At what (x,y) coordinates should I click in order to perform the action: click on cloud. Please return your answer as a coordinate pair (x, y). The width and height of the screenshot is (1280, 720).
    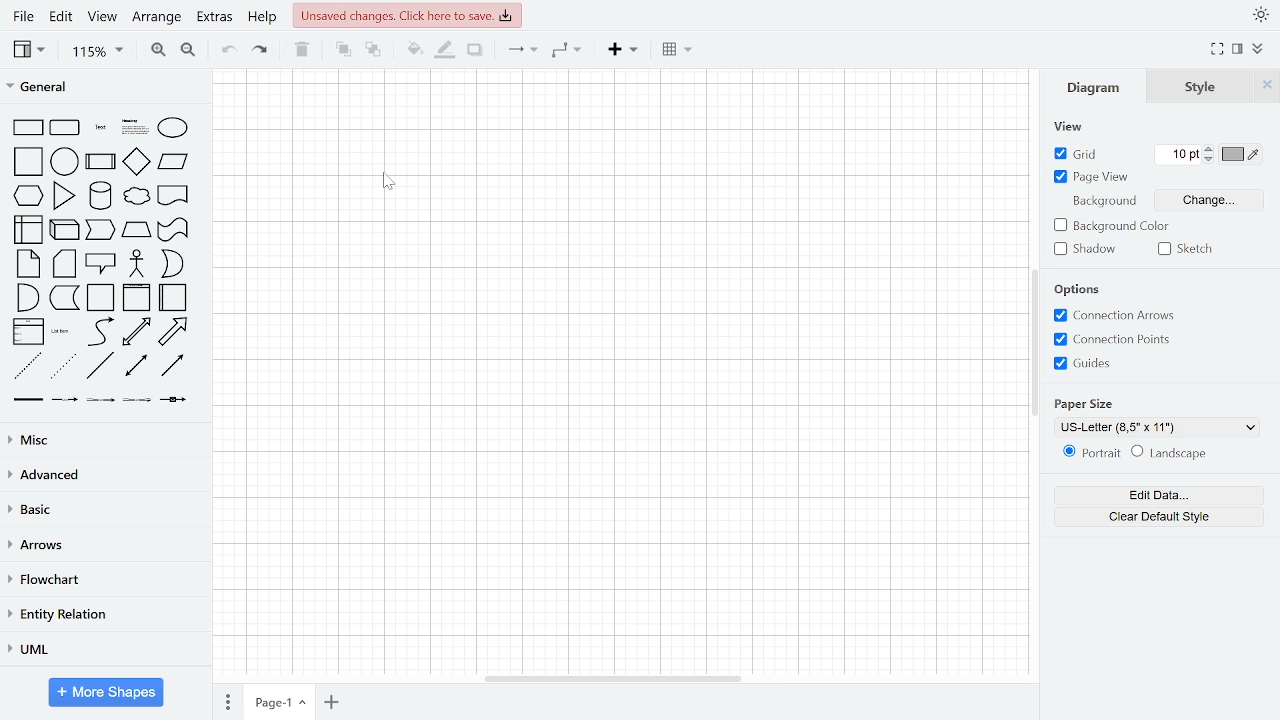
    Looking at the image, I should click on (135, 197).